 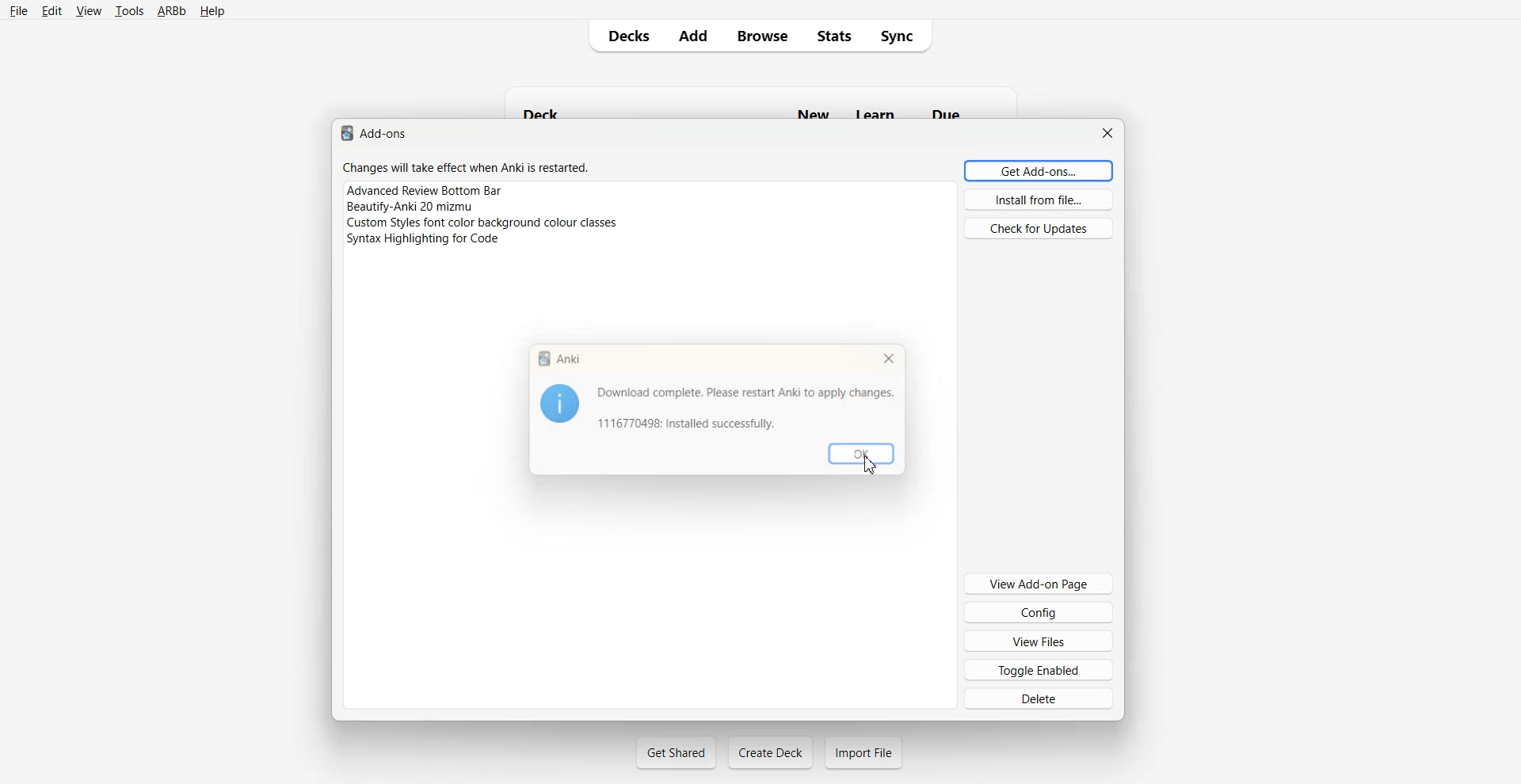 What do you see at coordinates (1039, 698) in the screenshot?
I see `Delete` at bounding box center [1039, 698].